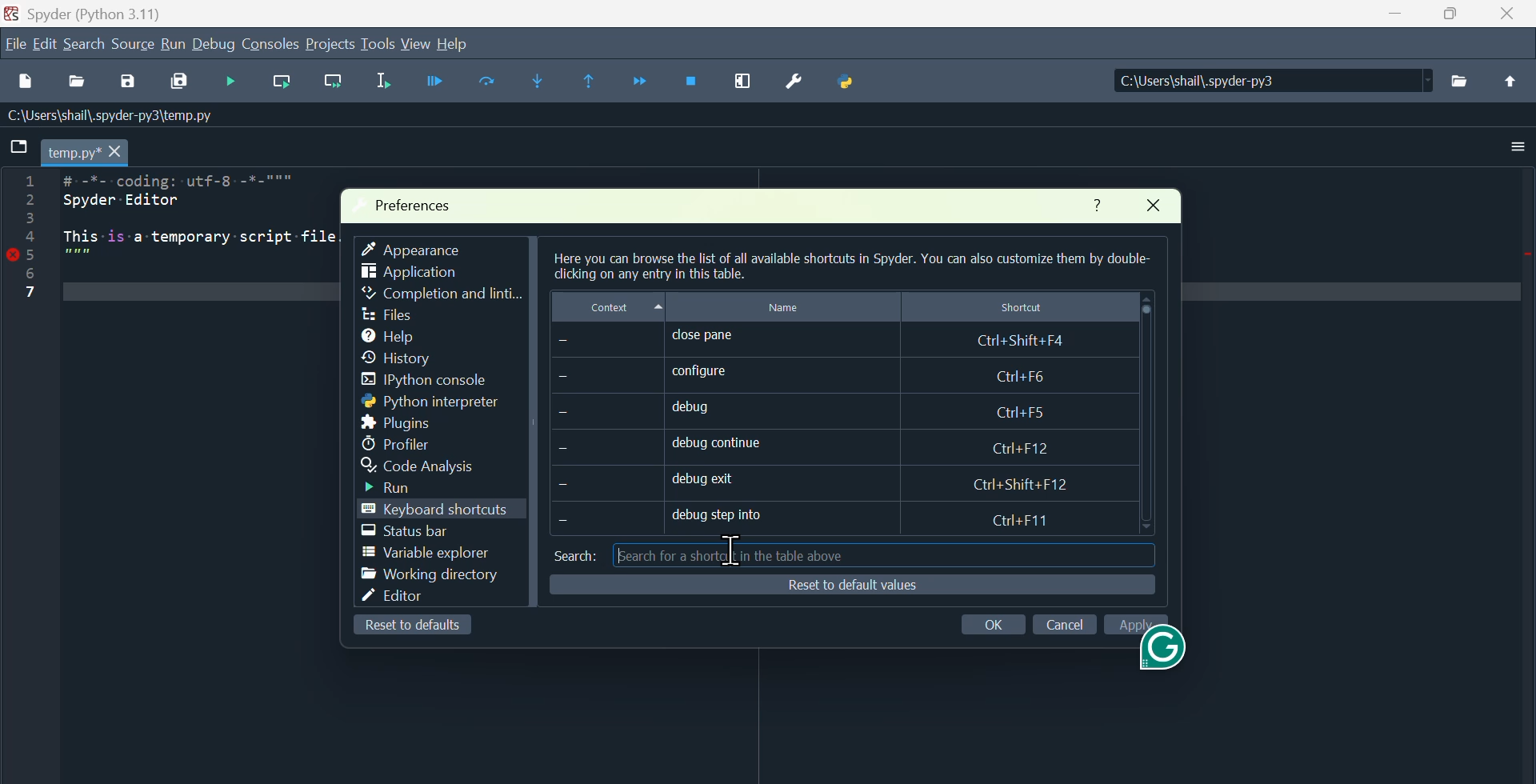 The height and width of the screenshot is (784, 1536). I want to click on maximise, so click(1452, 19).